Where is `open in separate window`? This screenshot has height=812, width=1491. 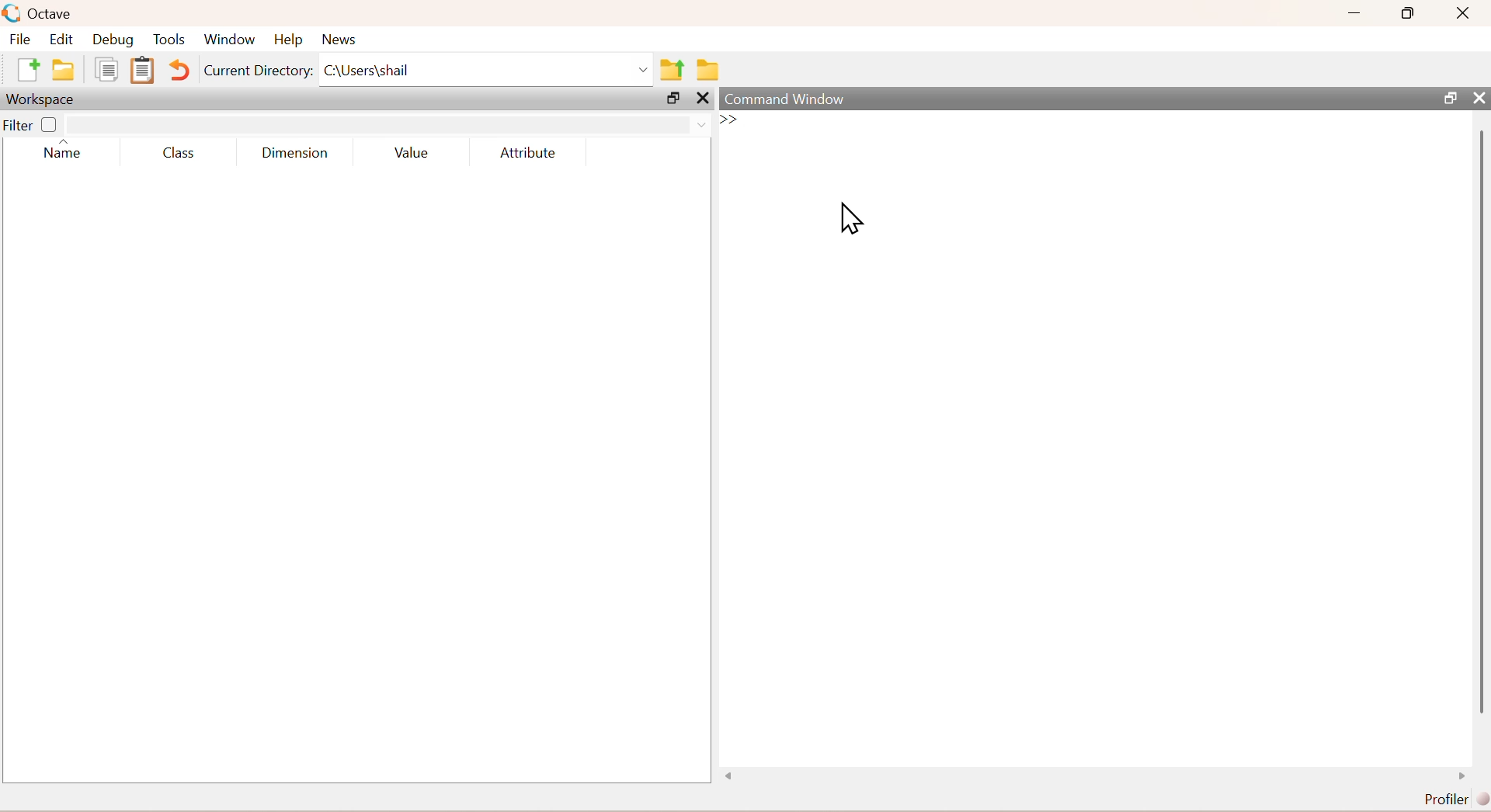 open in separate window is located at coordinates (1451, 98).